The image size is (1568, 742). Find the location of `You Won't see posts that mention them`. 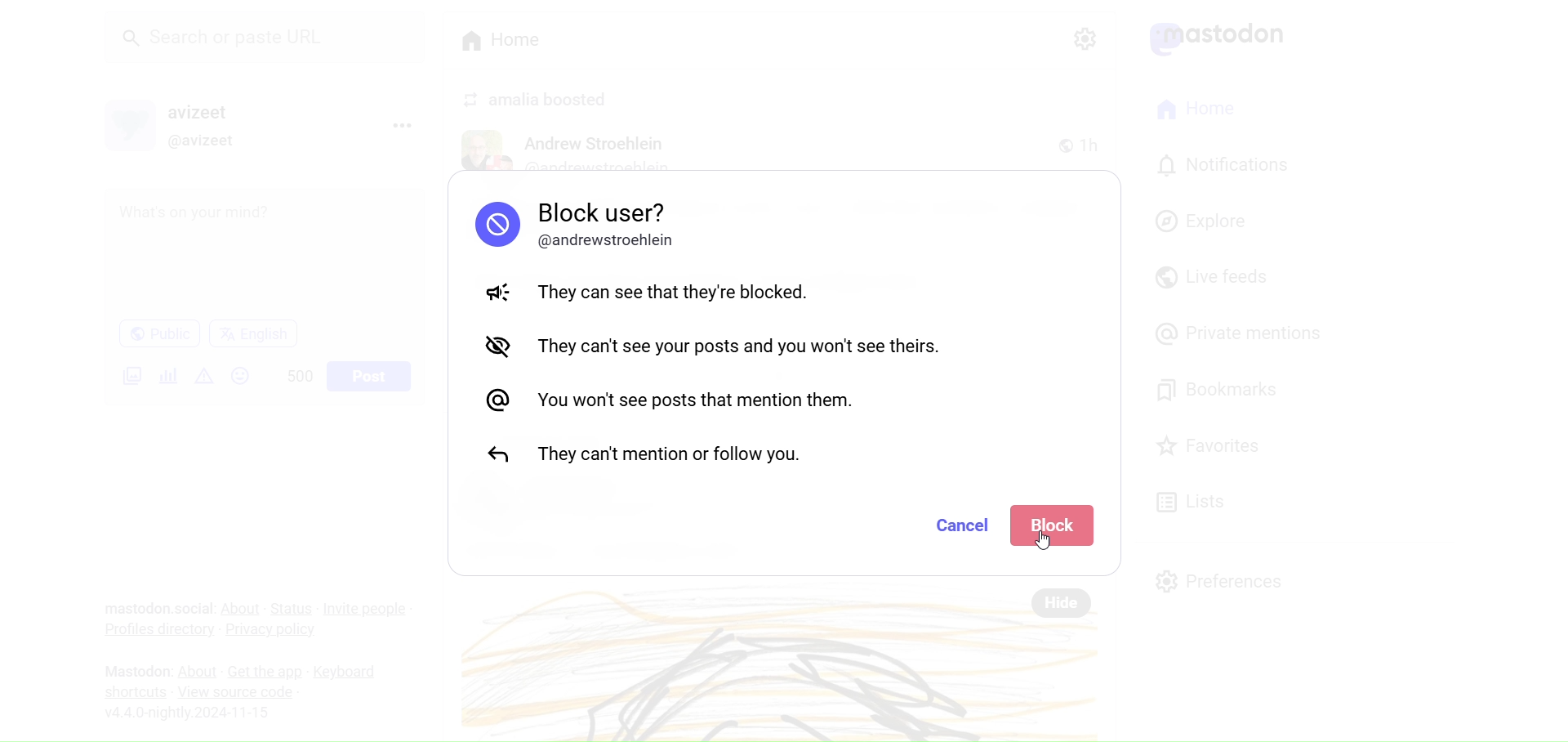

You Won't see posts that mention them is located at coordinates (786, 401).